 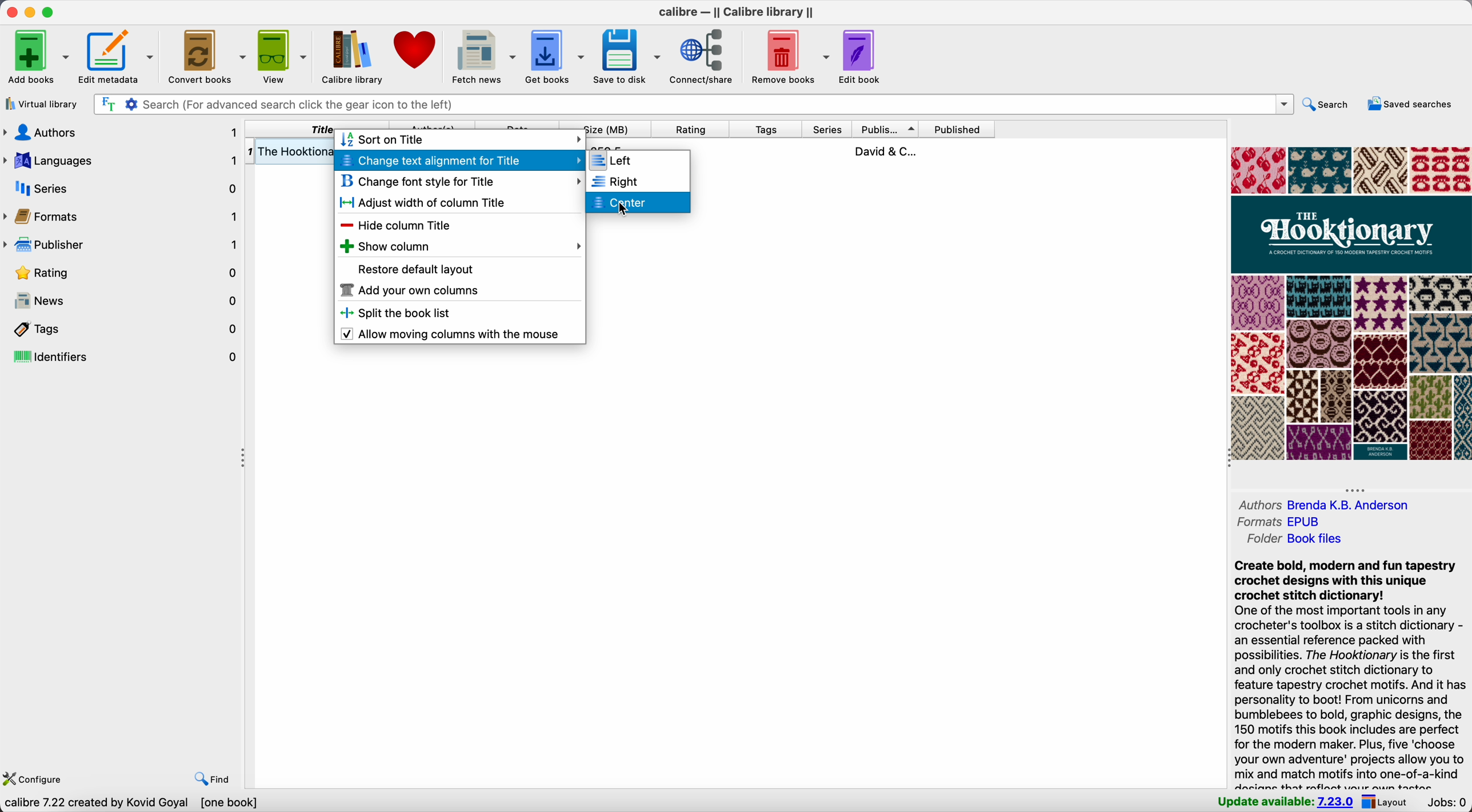 What do you see at coordinates (386, 141) in the screenshot?
I see `sort on title` at bounding box center [386, 141].